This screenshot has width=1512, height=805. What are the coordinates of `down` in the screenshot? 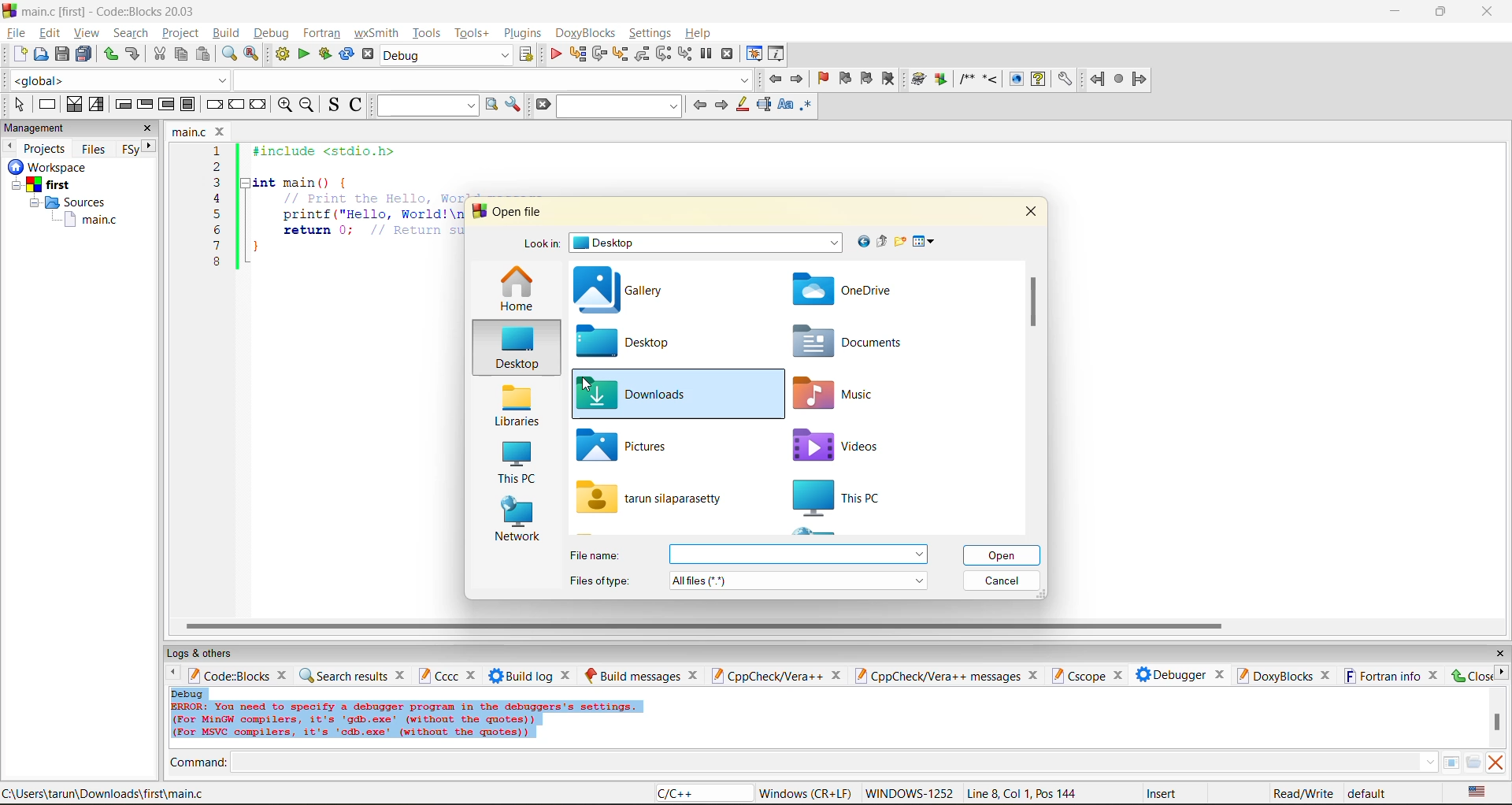 It's located at (1429, 762).